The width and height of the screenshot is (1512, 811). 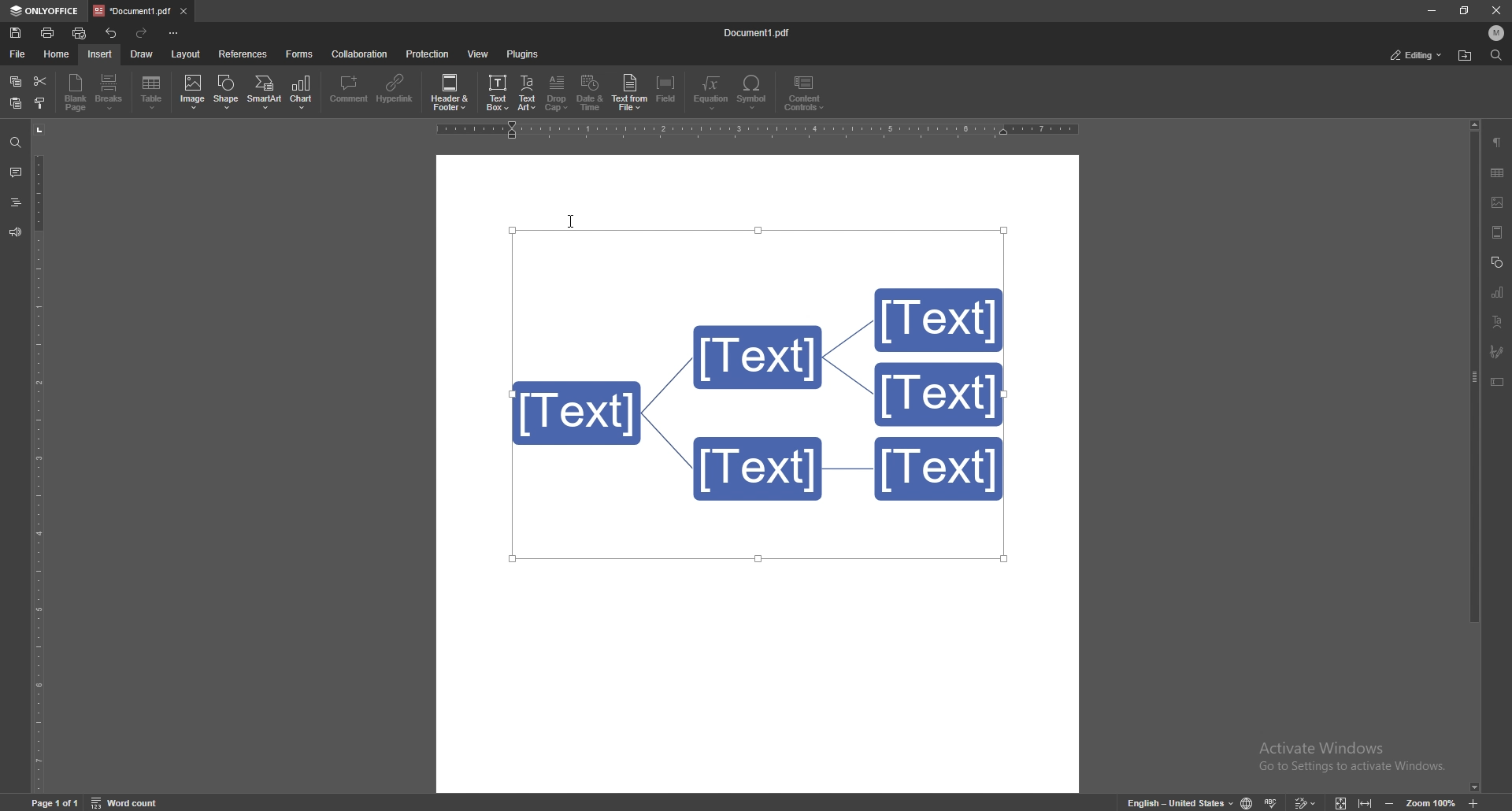 What do you see at coordinates (754, 92) in the screenshot?
I see `symbol` at bounding box center [754, 92].